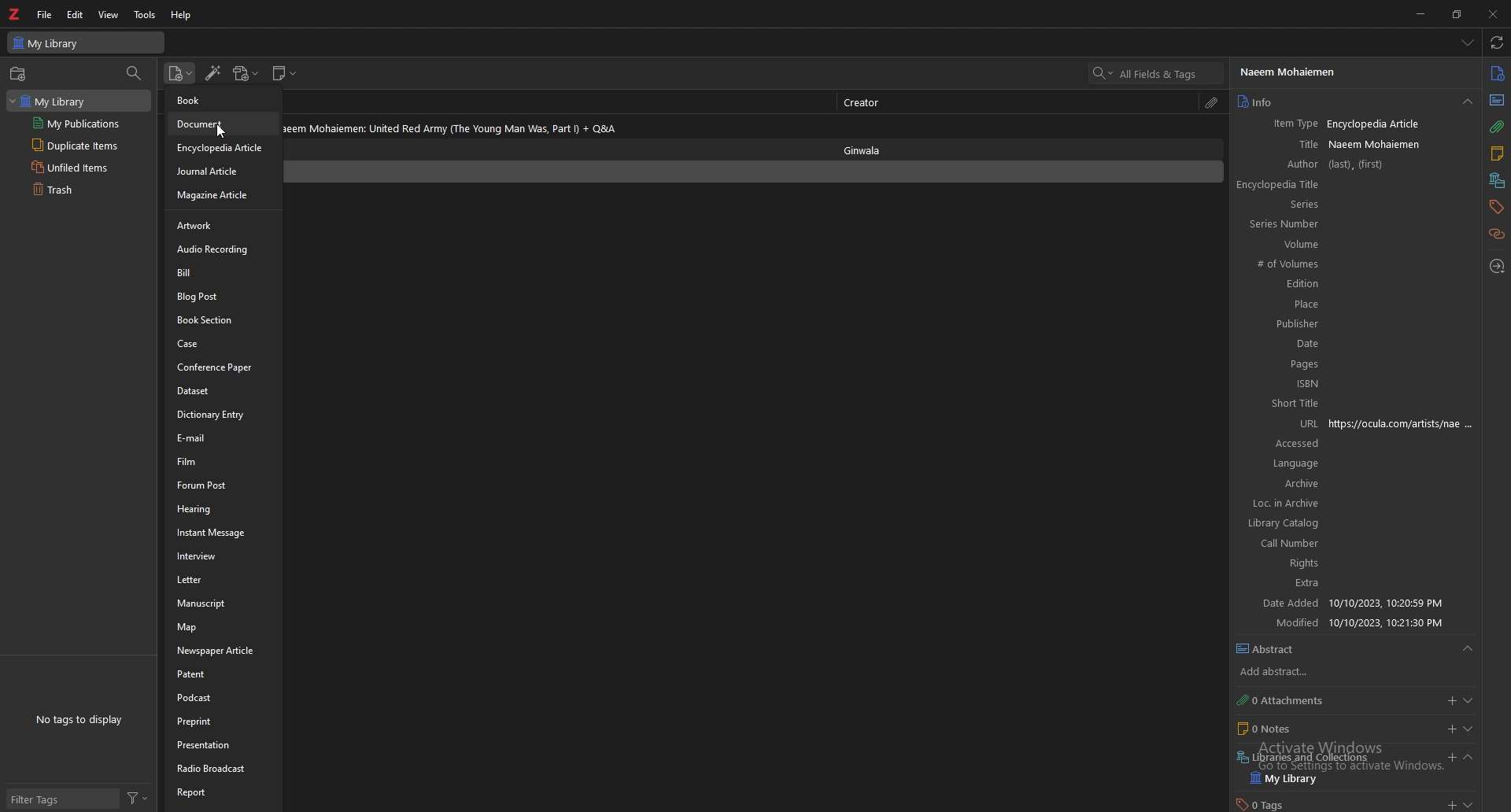 This screenshot has width=1511, height=812. What do you see at coordinates (1336, 727) in the screenshot?
I see `notes` at bounding box center [1336, 727].